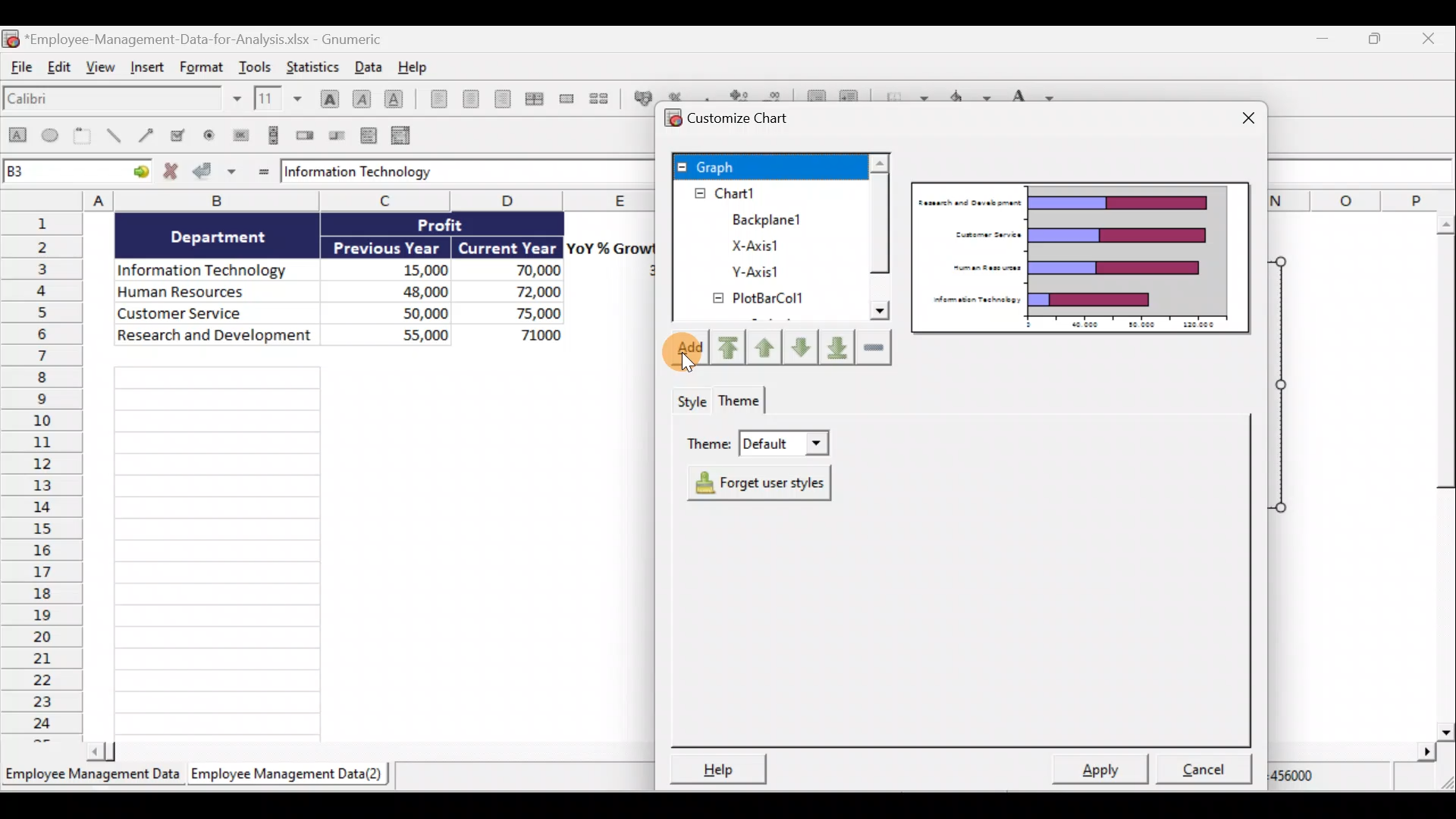 The height and width of the screenshot is (819, 1456). What do you see at coordinates (691, 401) in the screenshot?
I see `Style` at bounding box center [691, 401].